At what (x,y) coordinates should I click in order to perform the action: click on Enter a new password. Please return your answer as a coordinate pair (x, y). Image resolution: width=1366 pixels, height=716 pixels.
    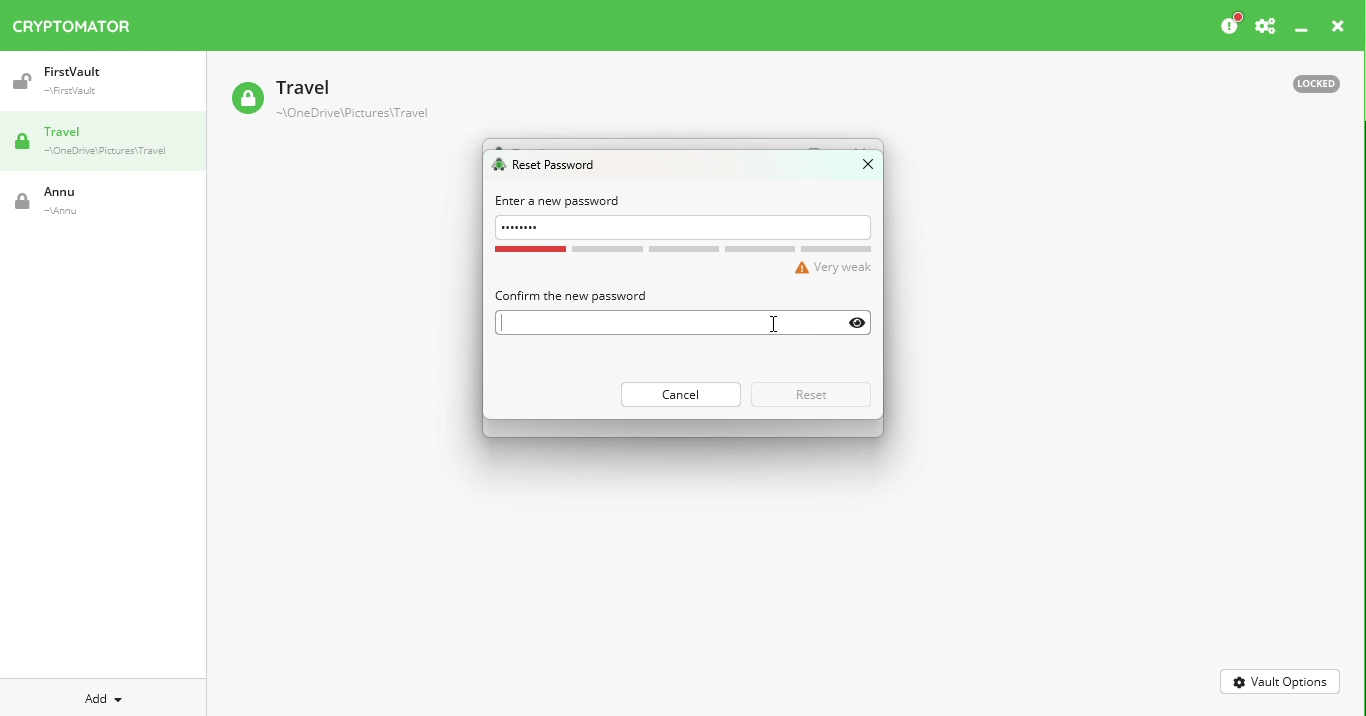
    Looking at the image, I should click on (559, 201).